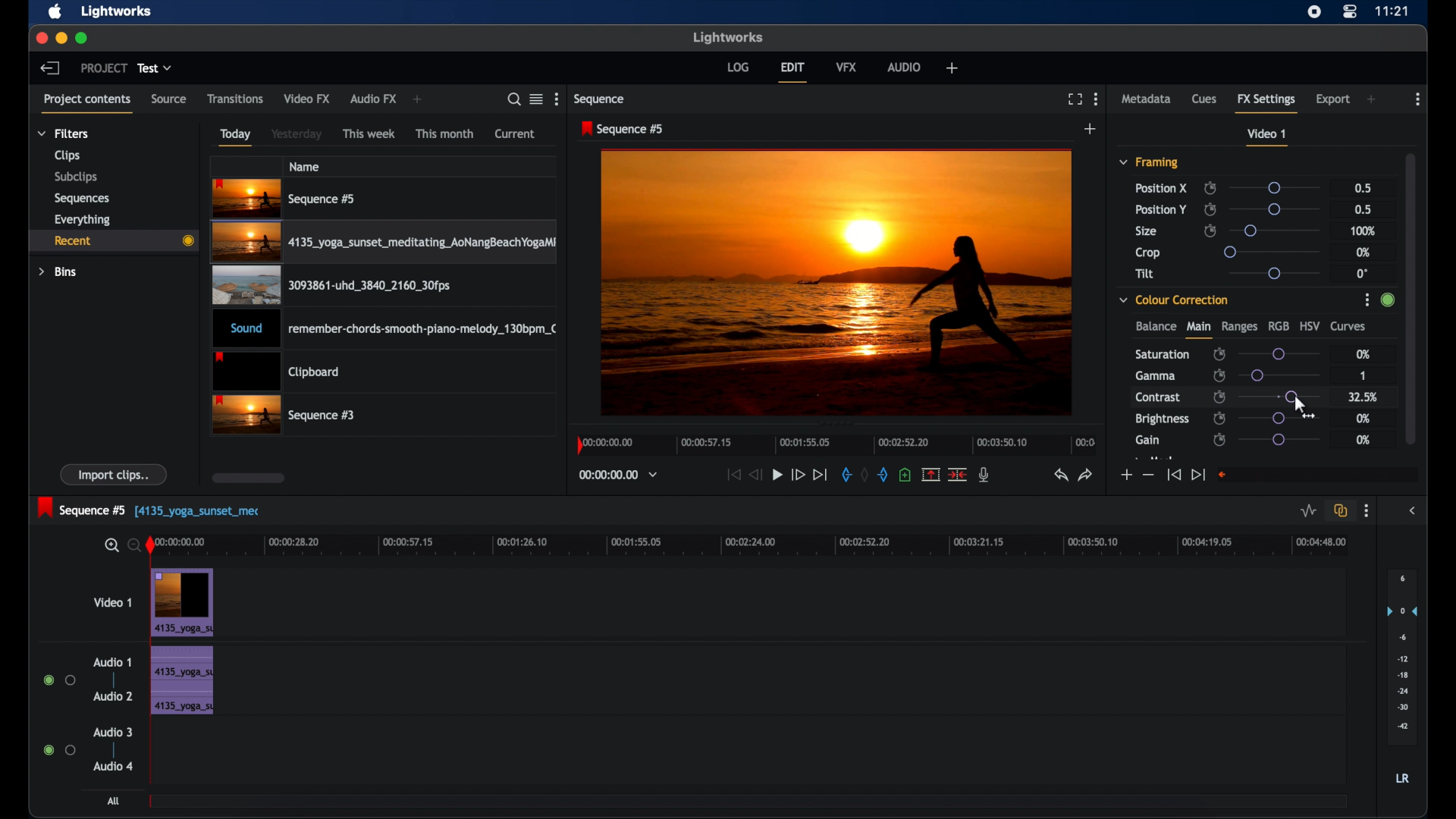  Describe the element at coordinates (510, 99) in the screenshot. I see `search` at that location.